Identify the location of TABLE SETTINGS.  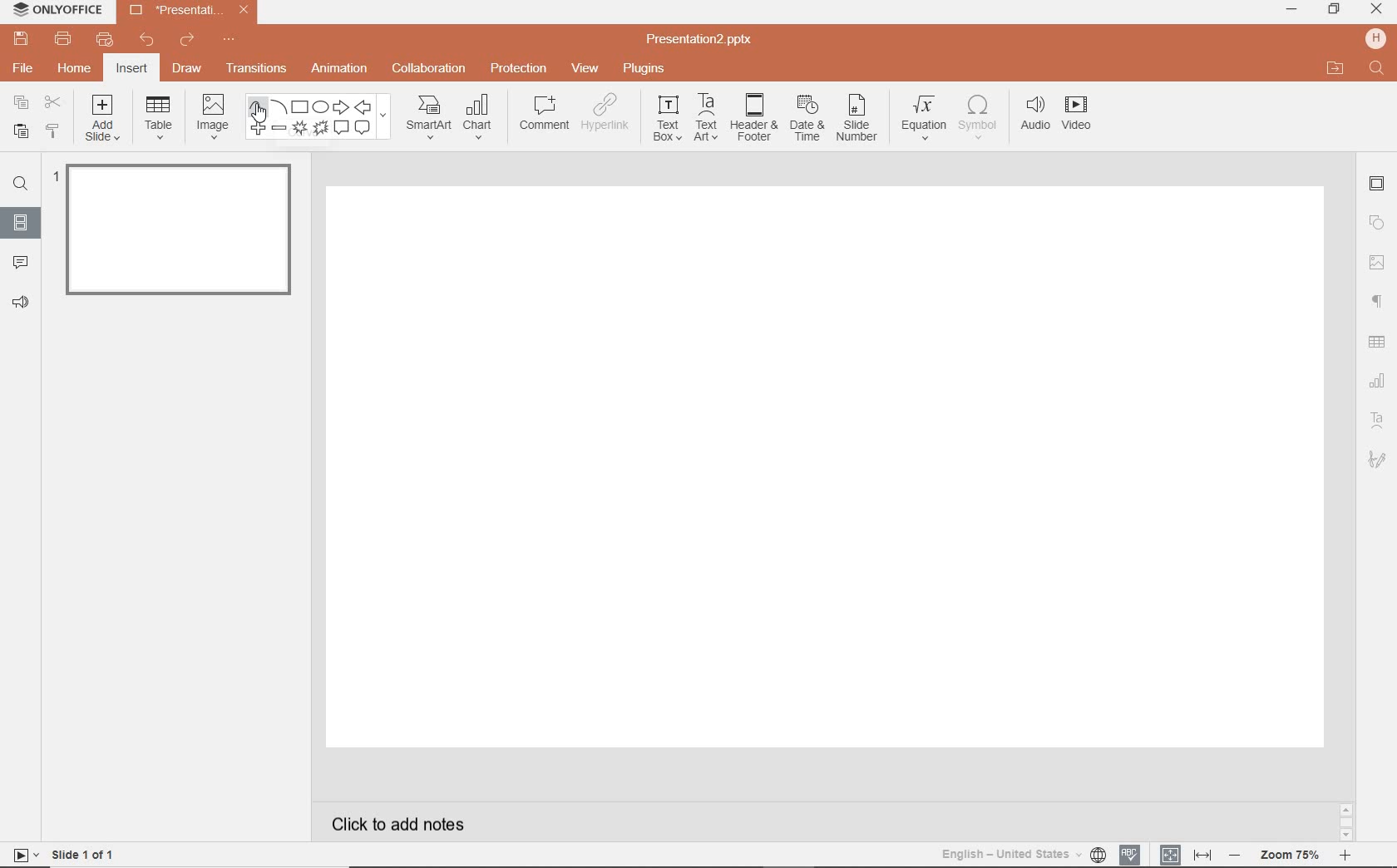
(1376, 342).